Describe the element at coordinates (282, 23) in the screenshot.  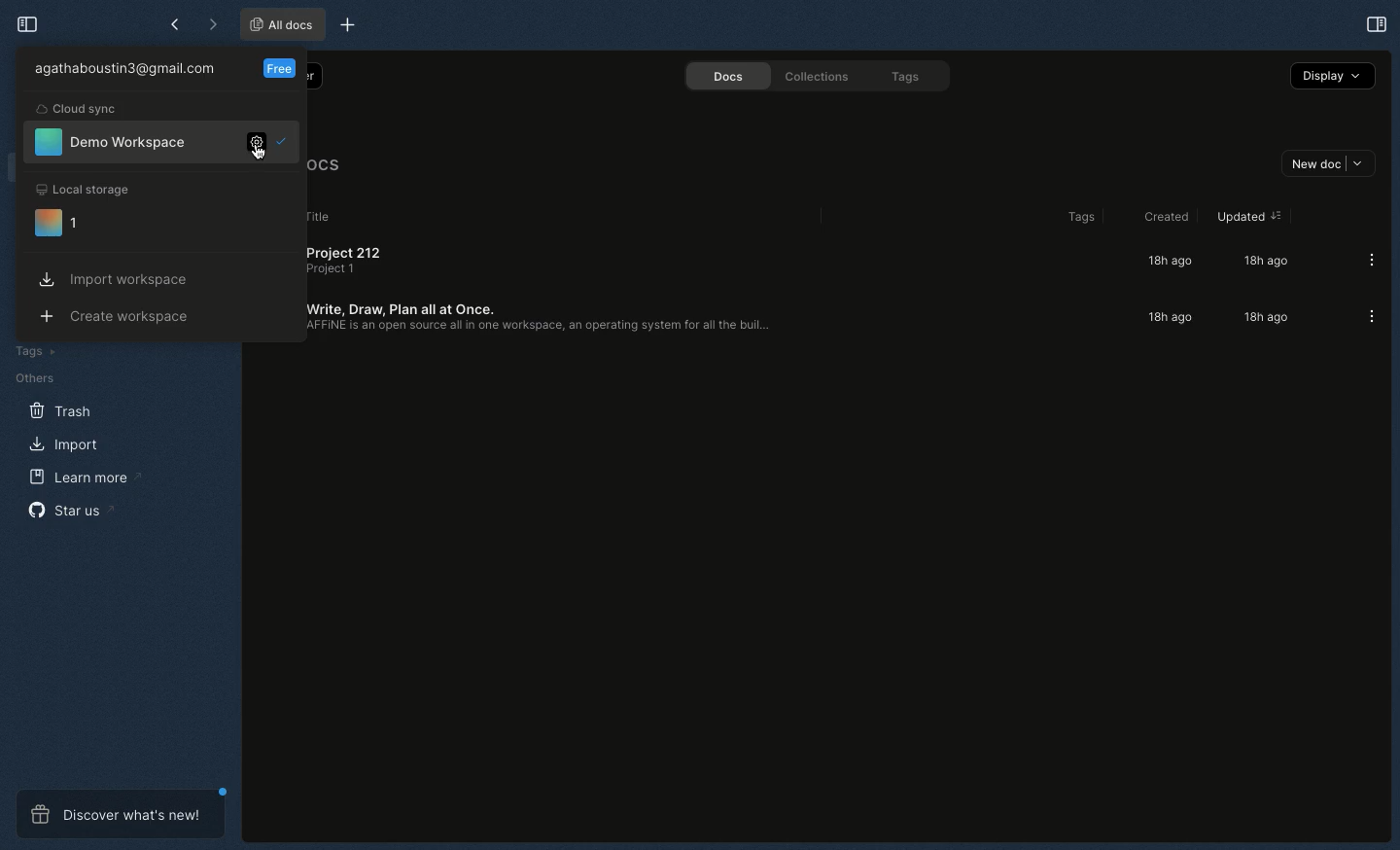
I see `All docs` at that location.